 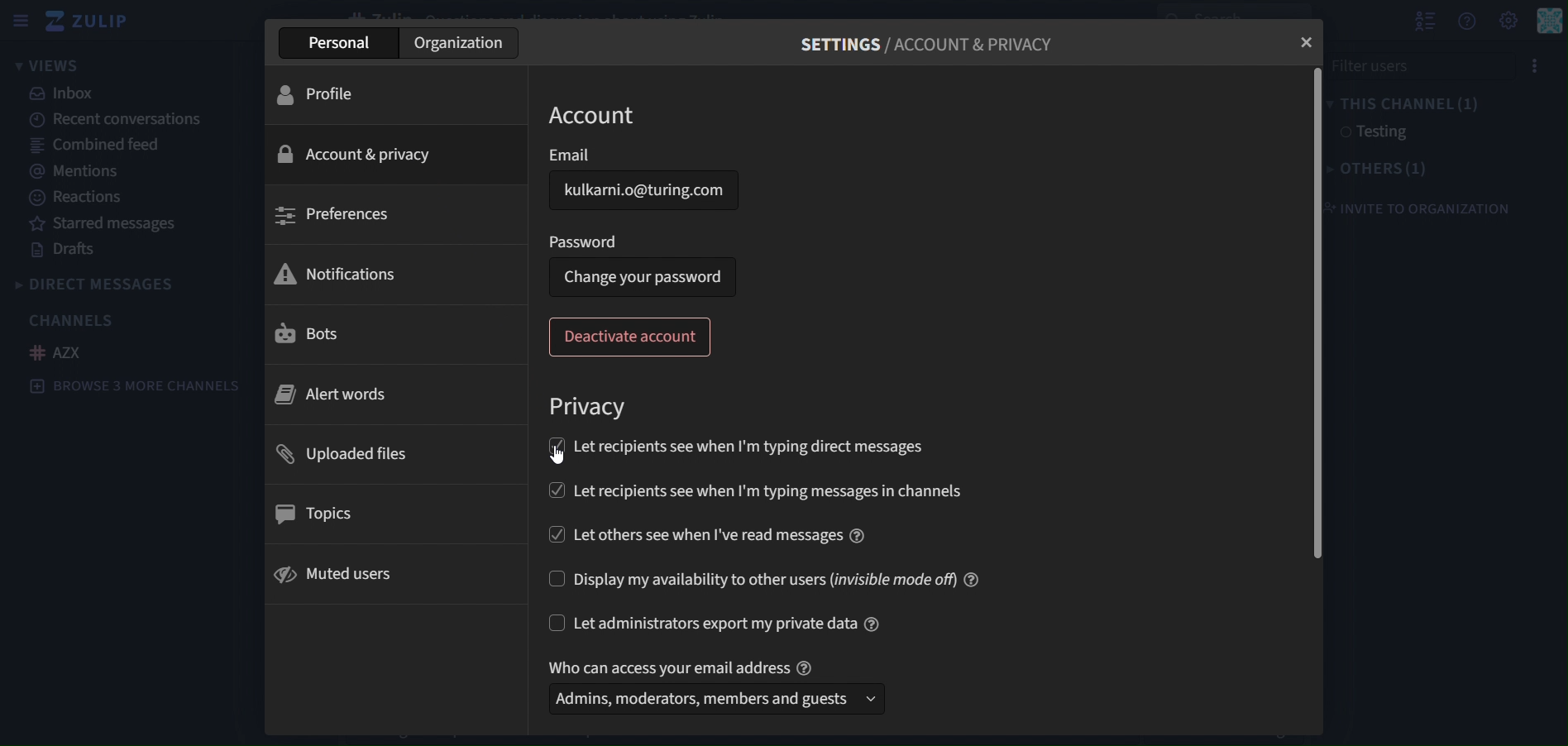 I want to click on topics, so click(x=319, y=513).